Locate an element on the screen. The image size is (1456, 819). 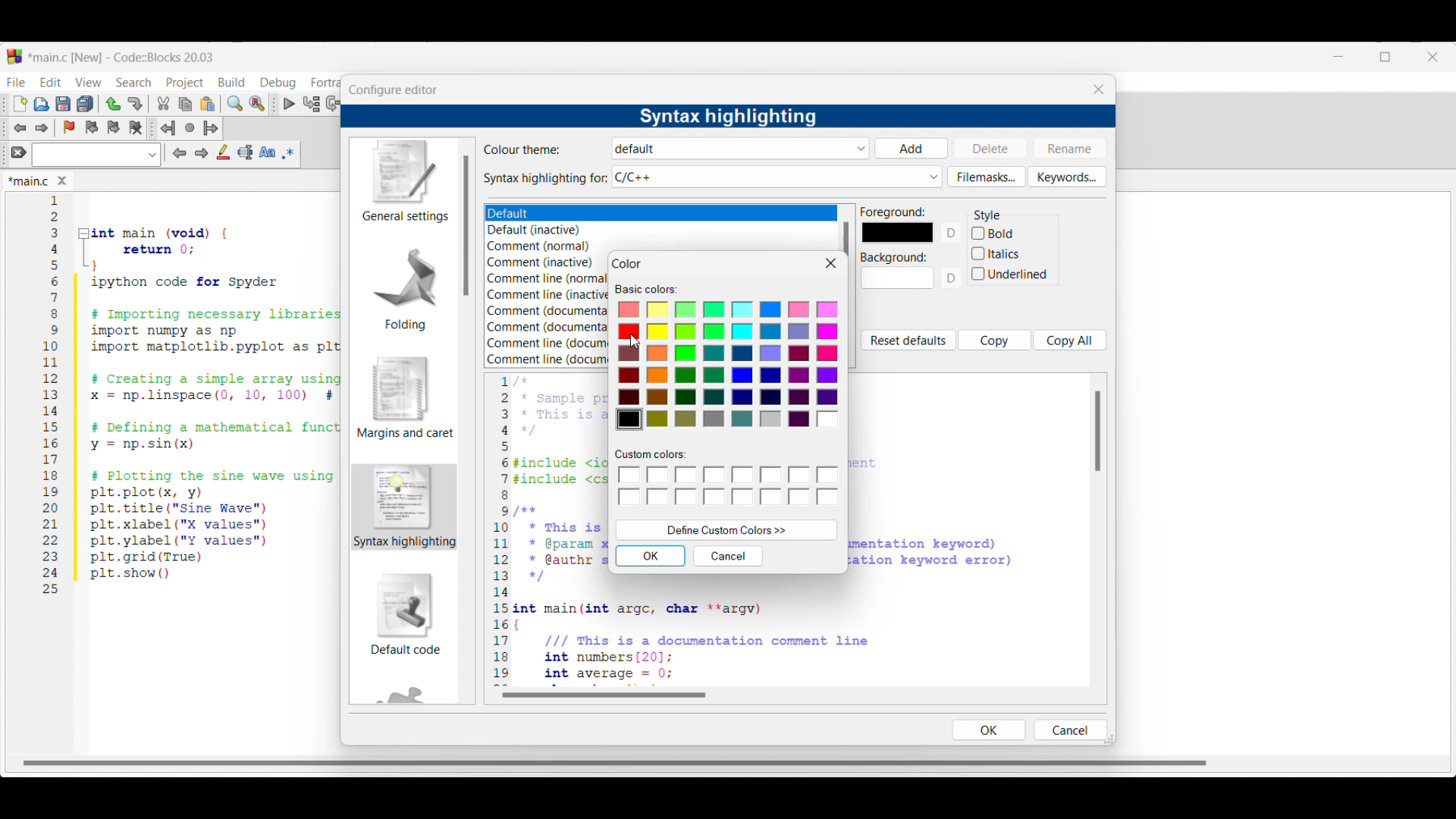
cursor is located at coordinates (635, 344).